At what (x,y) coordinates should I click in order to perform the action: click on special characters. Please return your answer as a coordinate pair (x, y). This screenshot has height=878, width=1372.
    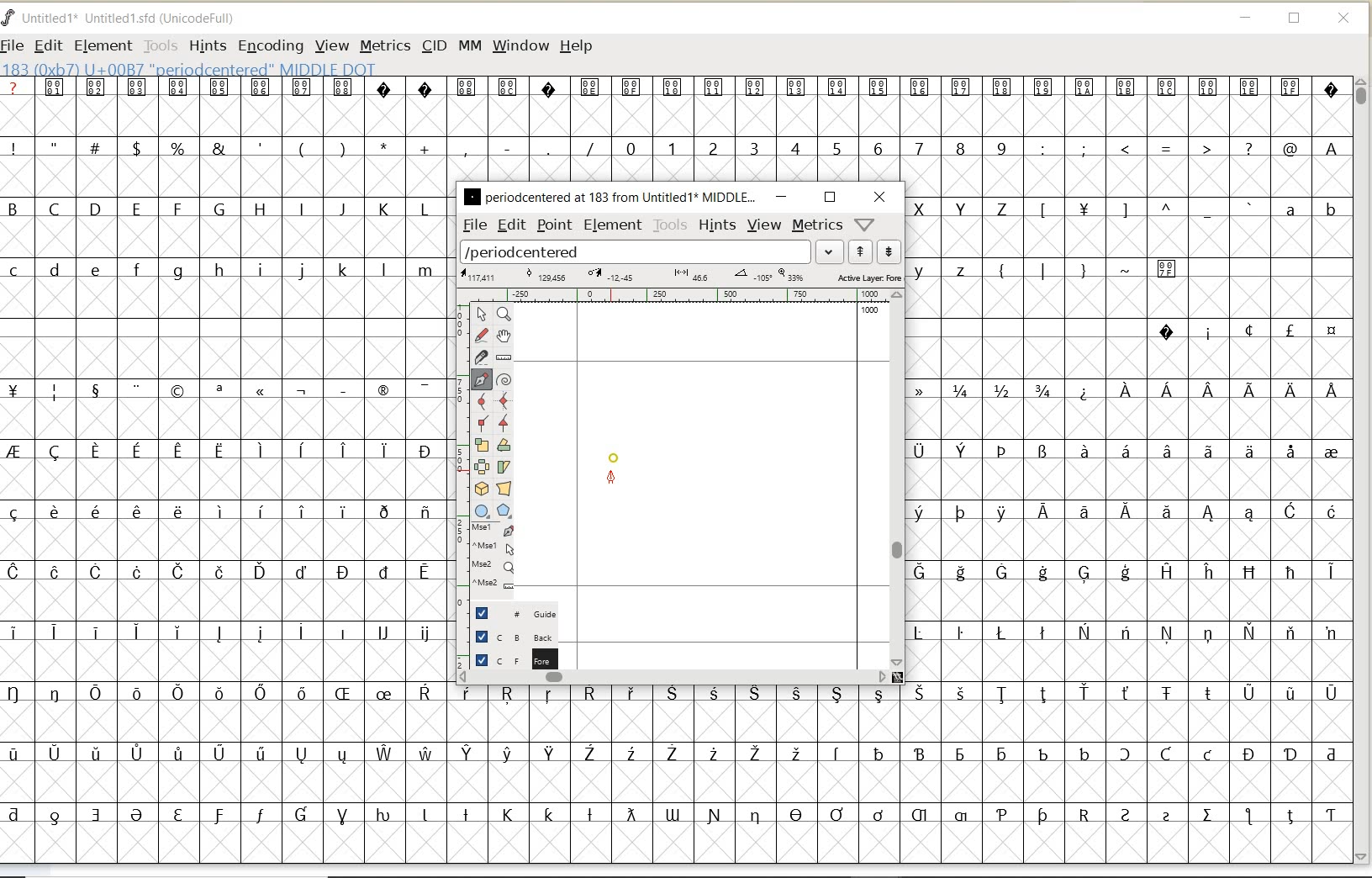
    Looking at the image, I should click on (1247, 331).